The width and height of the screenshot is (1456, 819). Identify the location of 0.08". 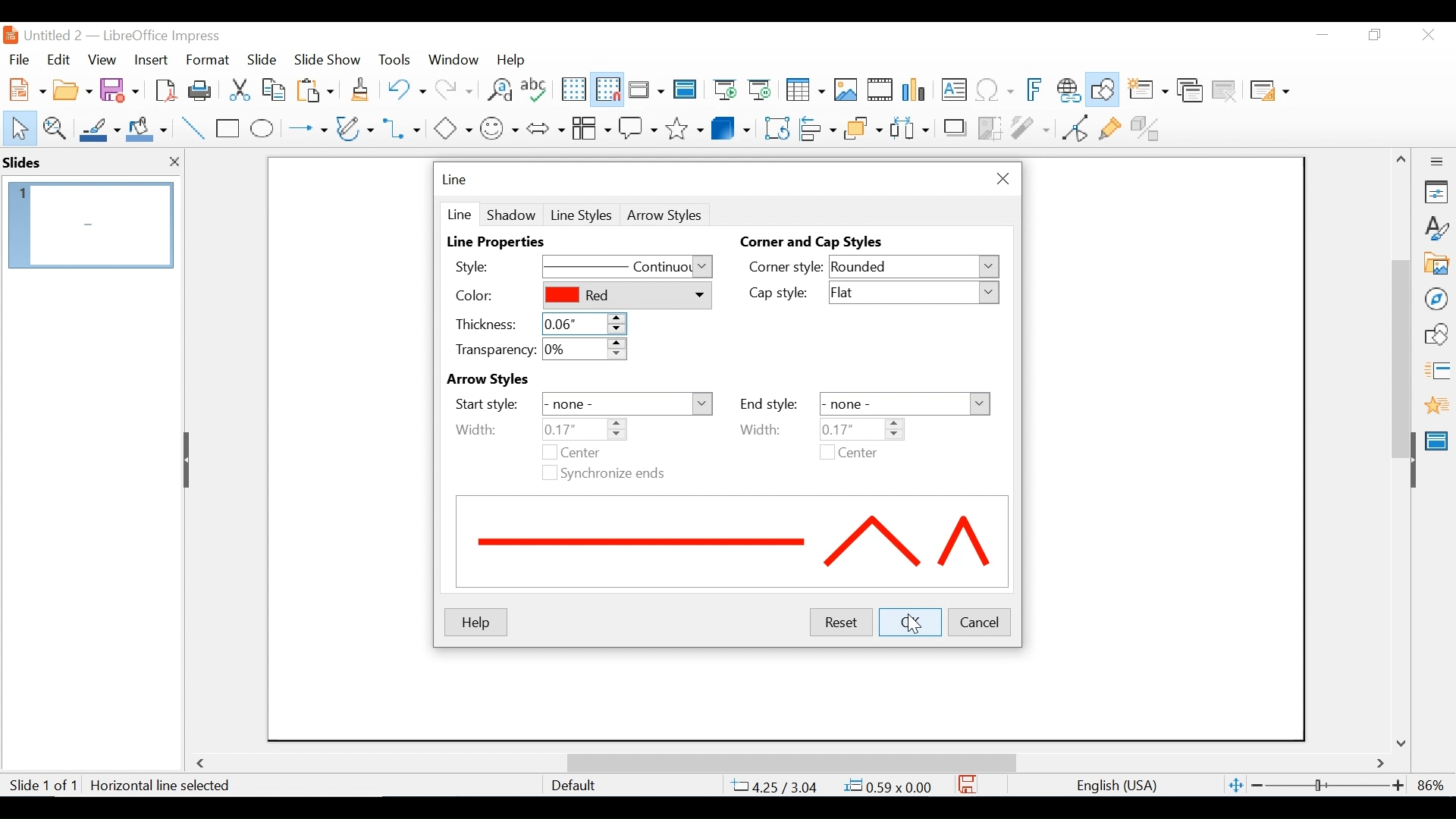
(585, 429).